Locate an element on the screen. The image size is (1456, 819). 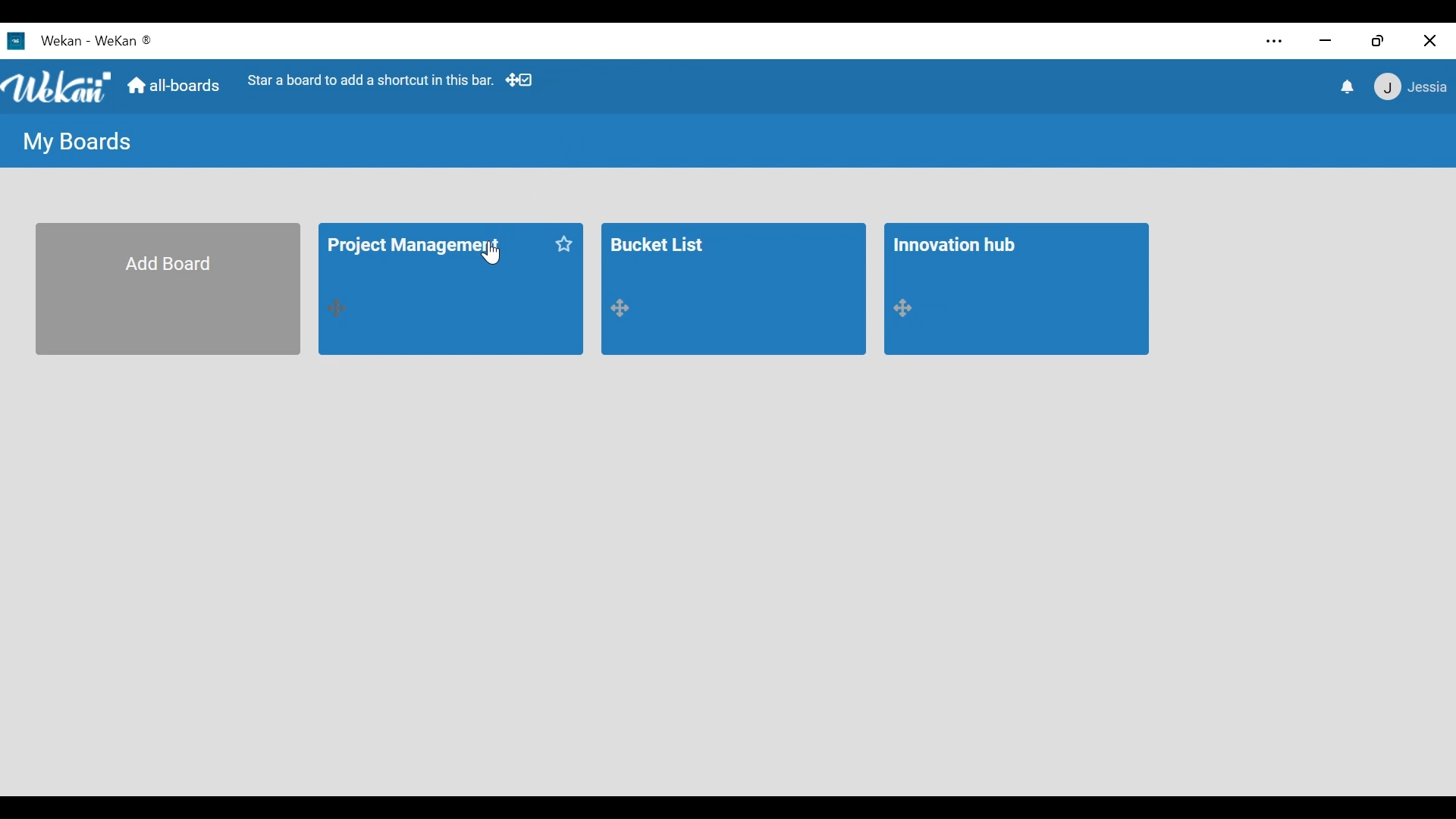
Board Title is located at coordinates (661, 242).